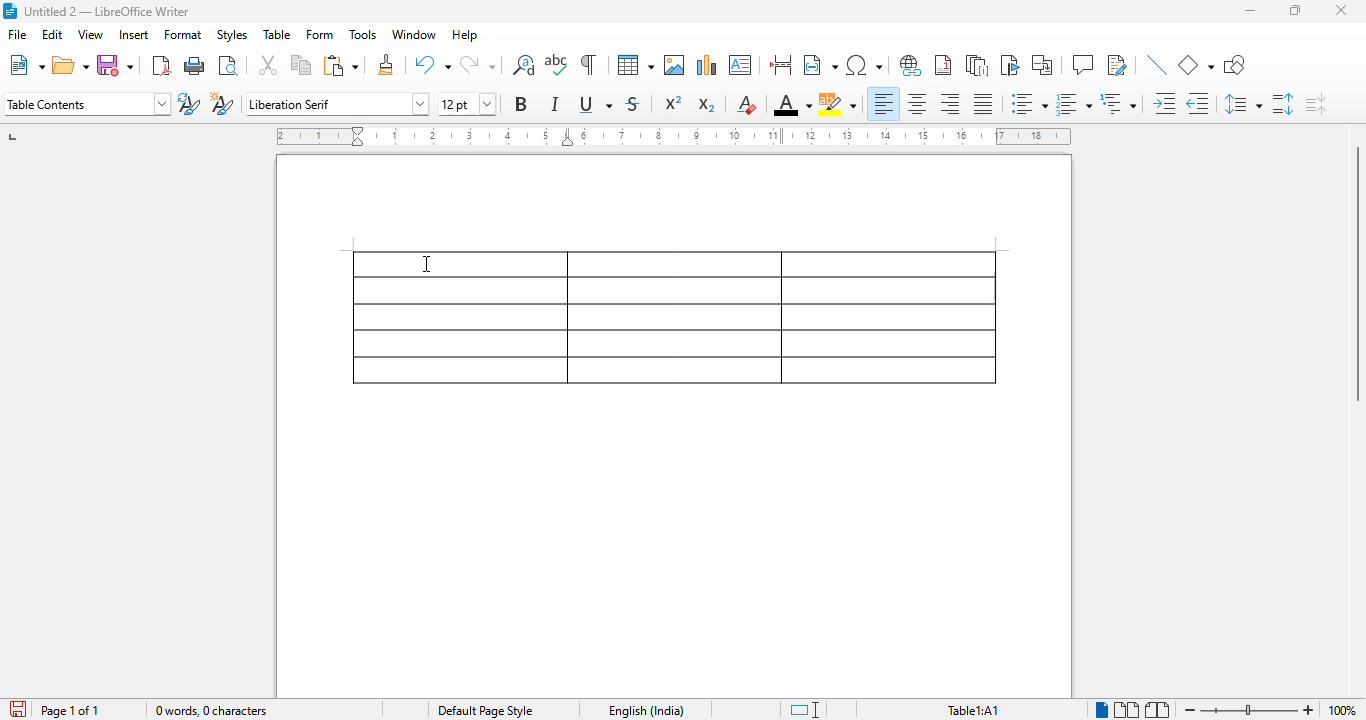 Image resolution: width=1366 pixels, height=720 pixels. What do you see at coordinates (1083, 64) in the screenshot?
I see `insert comment` at bounding box center [1083, 64].